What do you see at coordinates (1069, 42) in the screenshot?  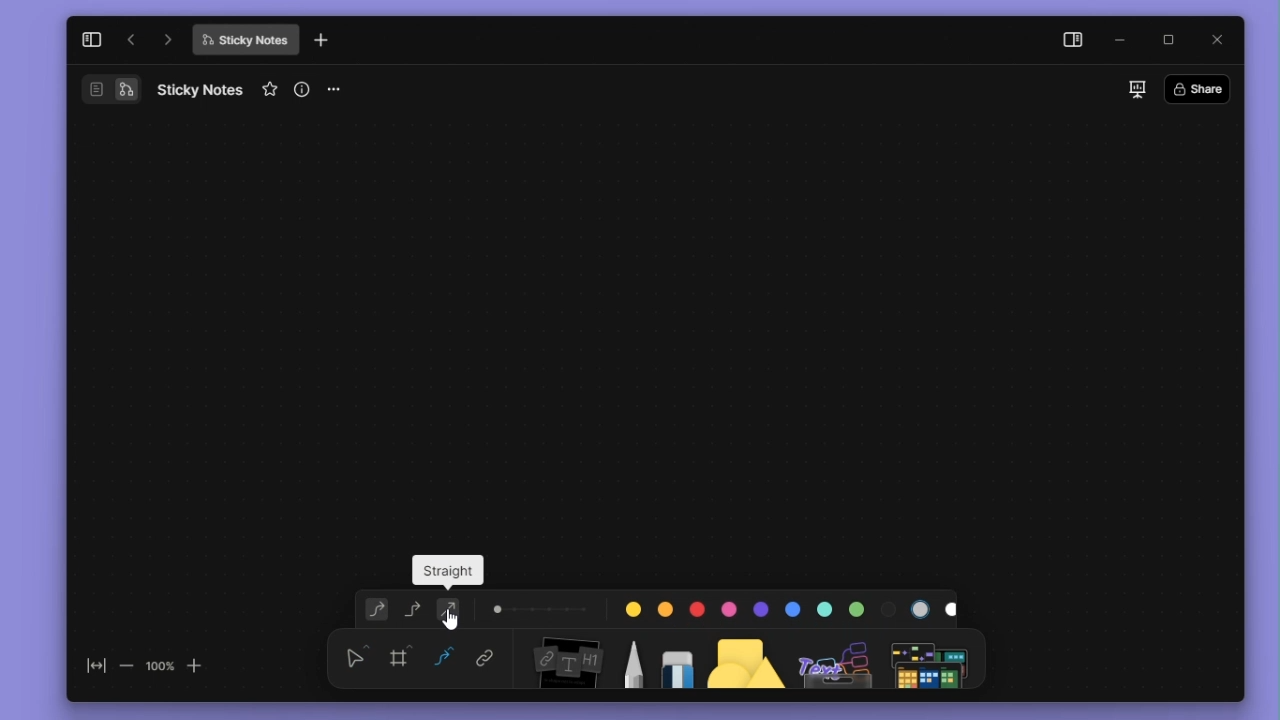 I see `side panel` at bounding box center [1069, 42].